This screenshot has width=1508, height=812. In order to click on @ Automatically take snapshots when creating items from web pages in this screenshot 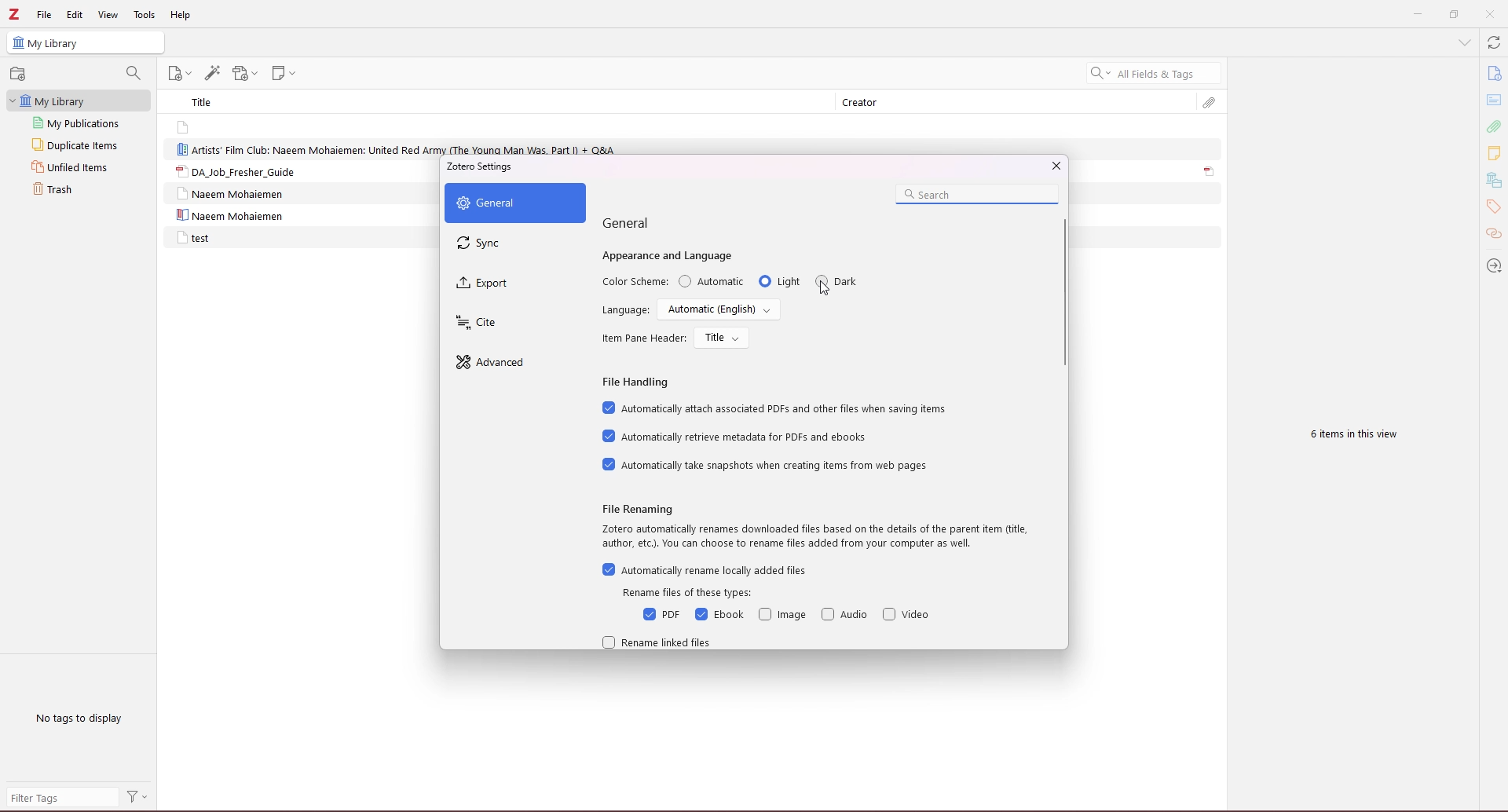, I will do `click(767, 466)`.